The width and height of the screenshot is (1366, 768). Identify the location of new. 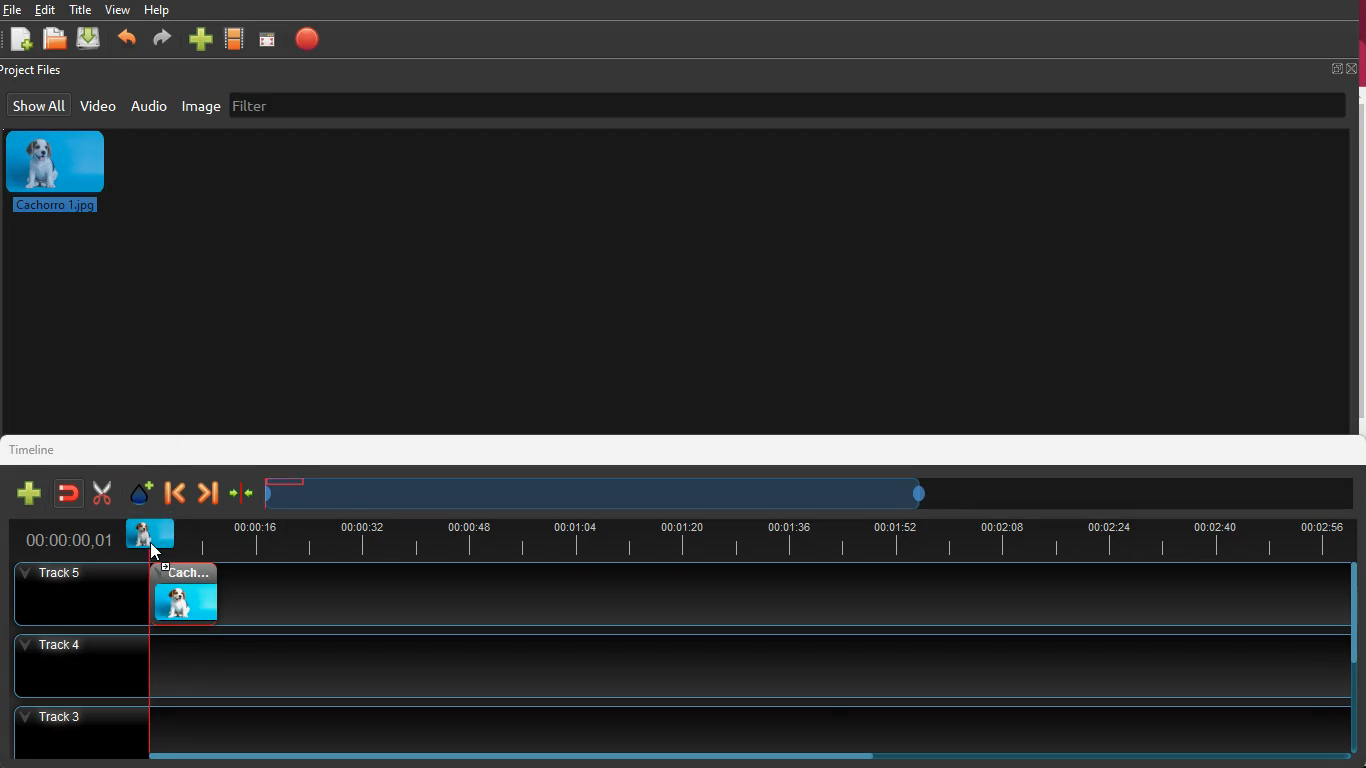
(30, 494).